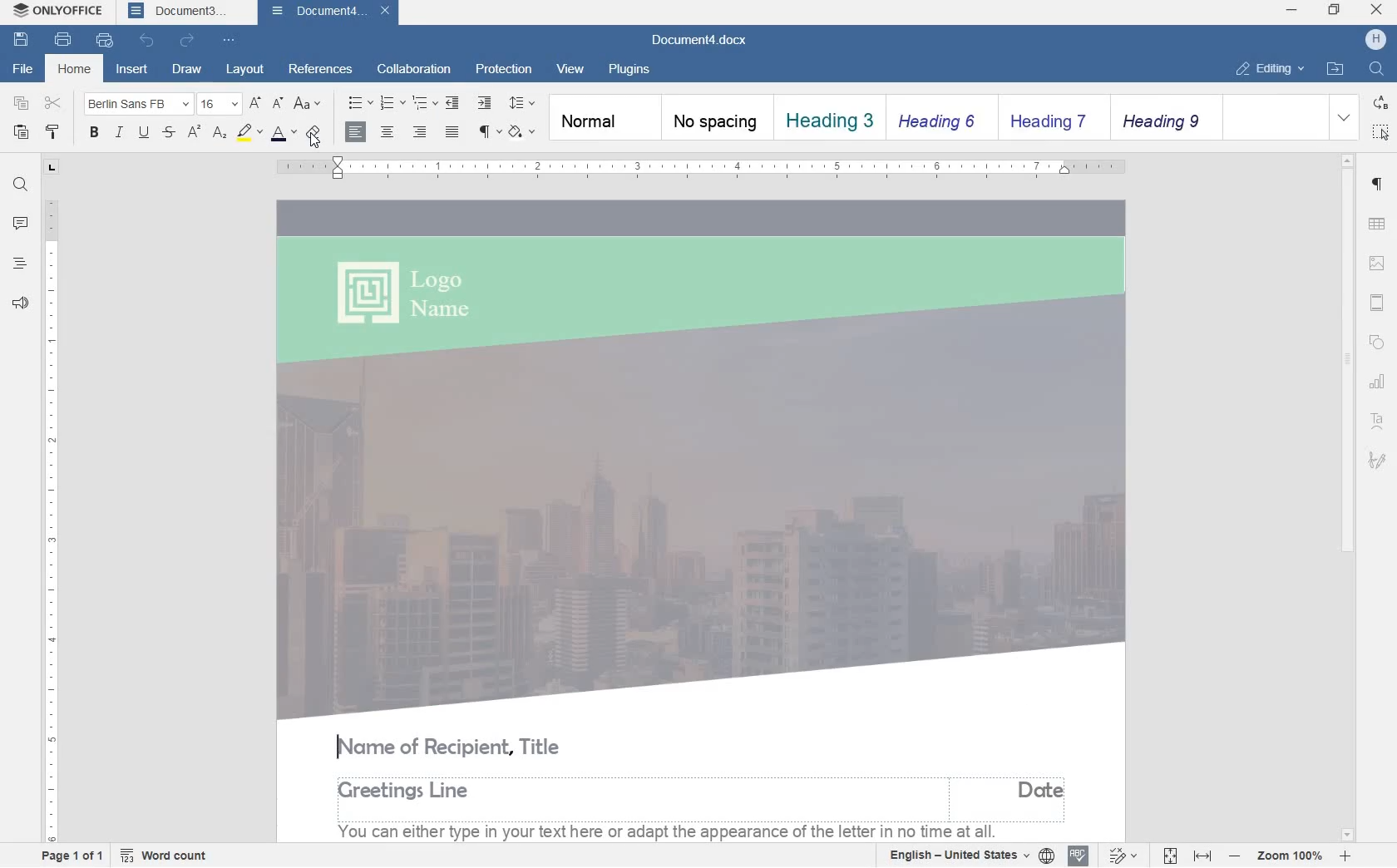 This screenshot has height=868, width=1397. What do you see at coordinates (94, 133) in the screenshot?
I see `bold` at bounding box center [94, 133].